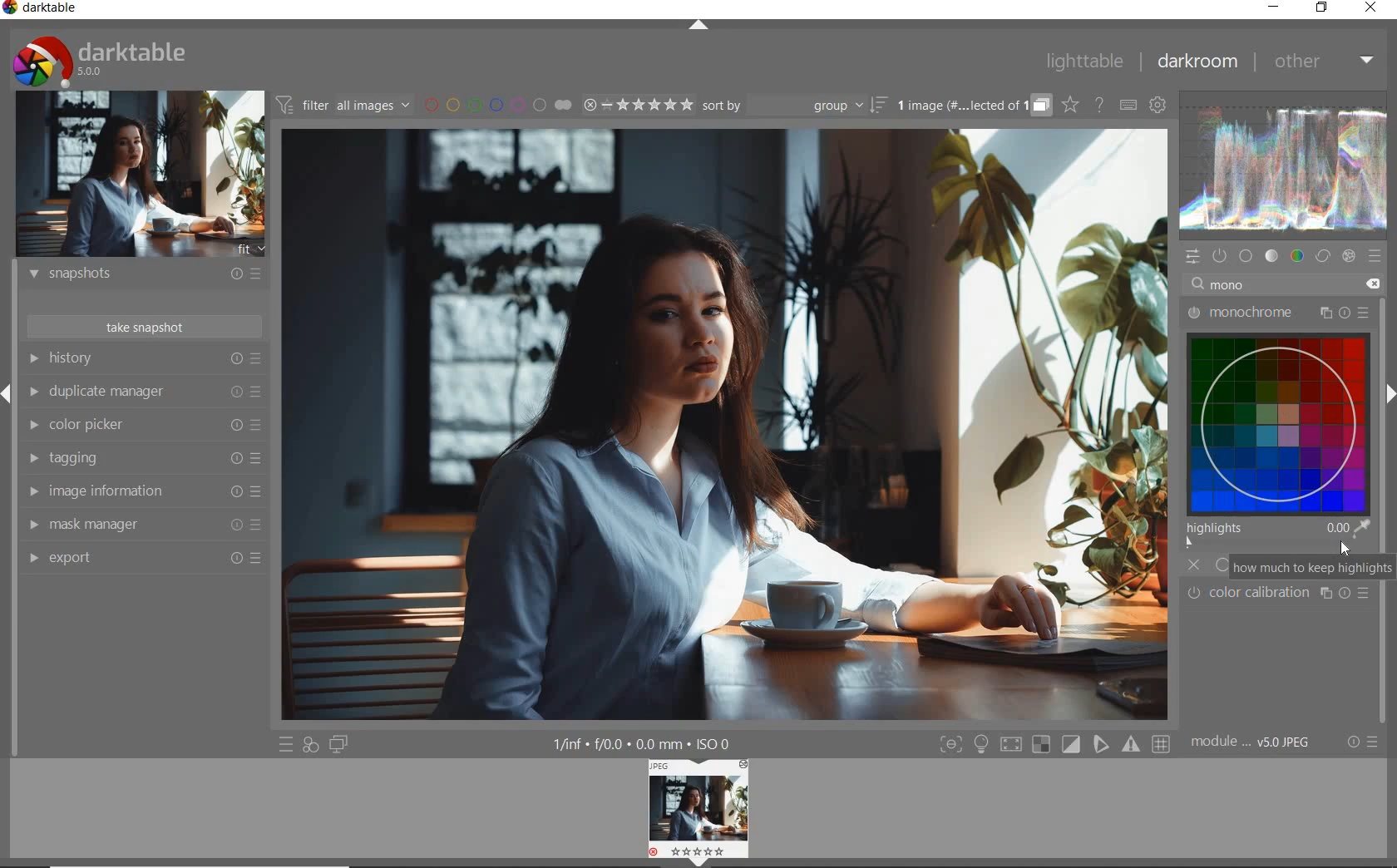 This screenshot has height=868, width=1397. What do you see at coordinates (1221, 254) in the screenshot?
I see `show only active modules` at bounding box center [1221, 254].